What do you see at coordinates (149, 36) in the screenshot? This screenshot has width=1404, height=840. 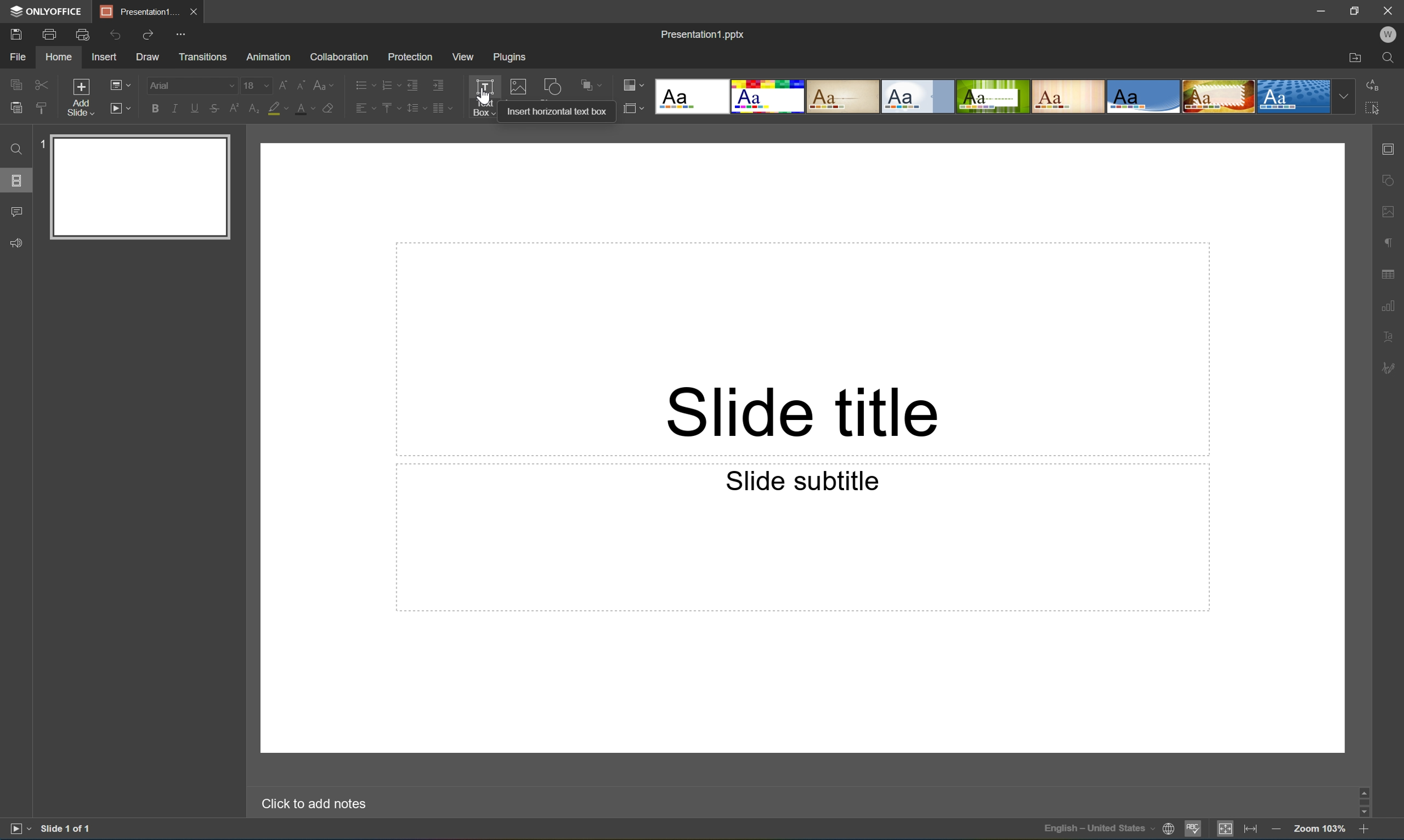 I see `Redo` at bounding box center [149, 36].